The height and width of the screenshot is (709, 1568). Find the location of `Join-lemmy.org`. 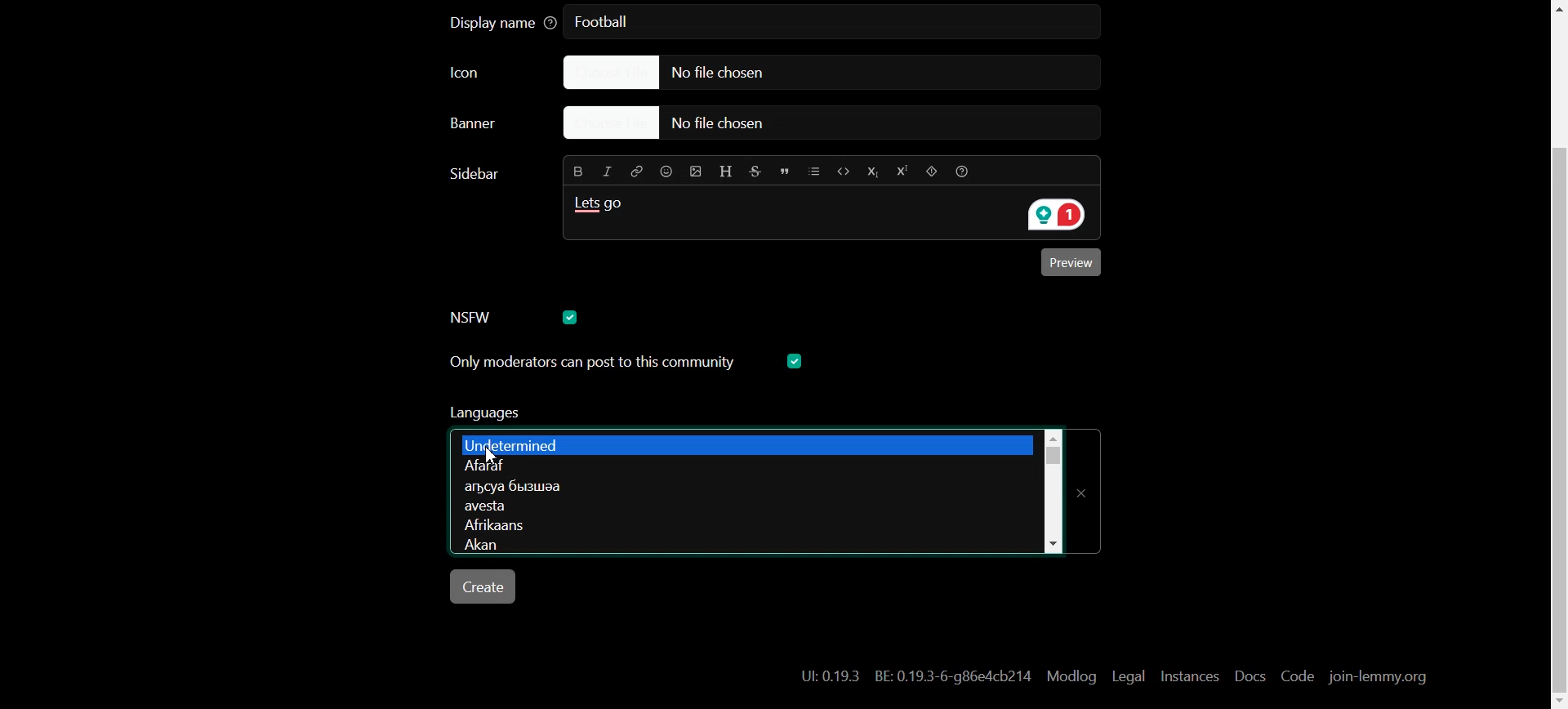

Join-lemmy.org is located at coordinates (1376, 677).